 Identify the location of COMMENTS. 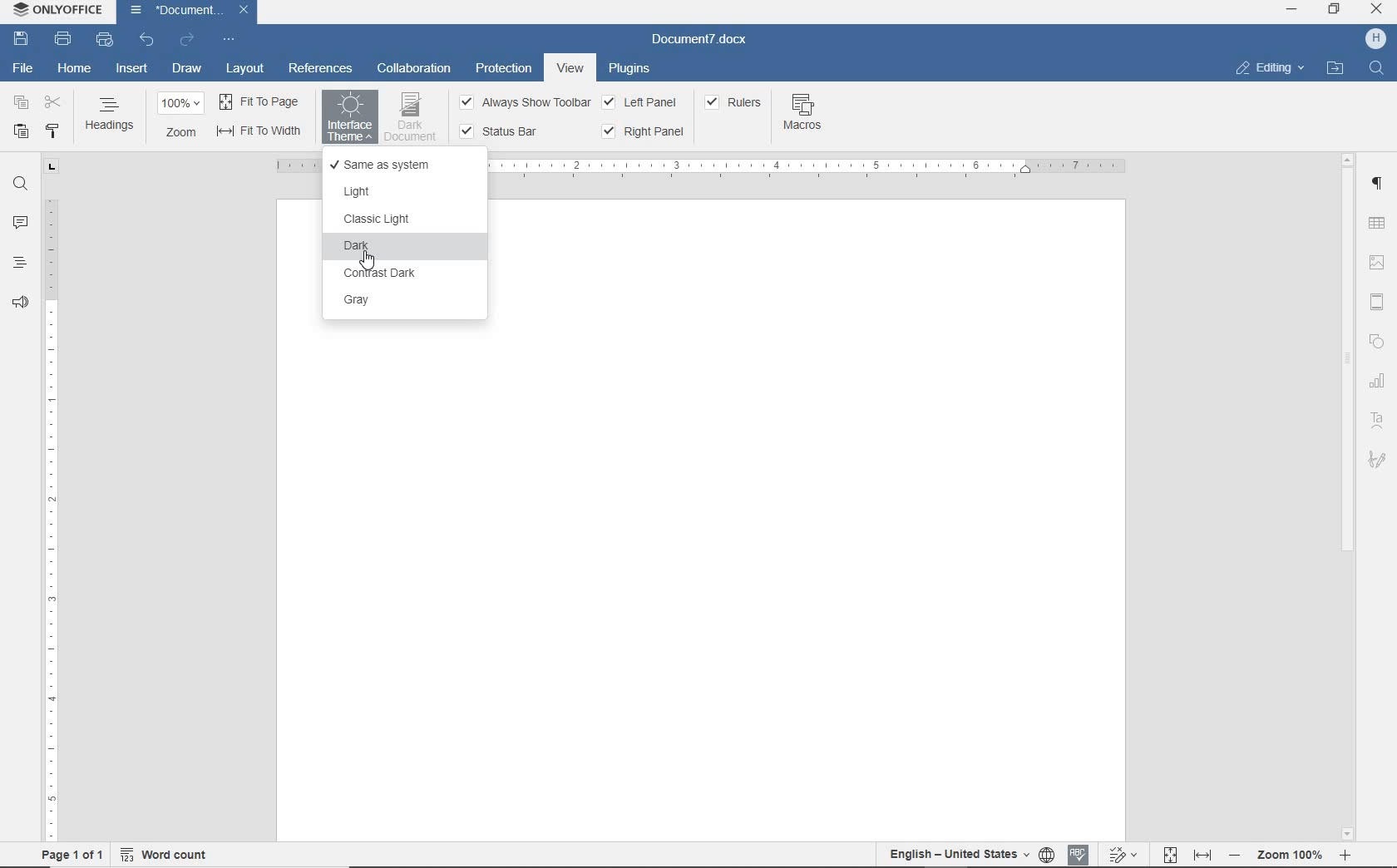
(19, 221).